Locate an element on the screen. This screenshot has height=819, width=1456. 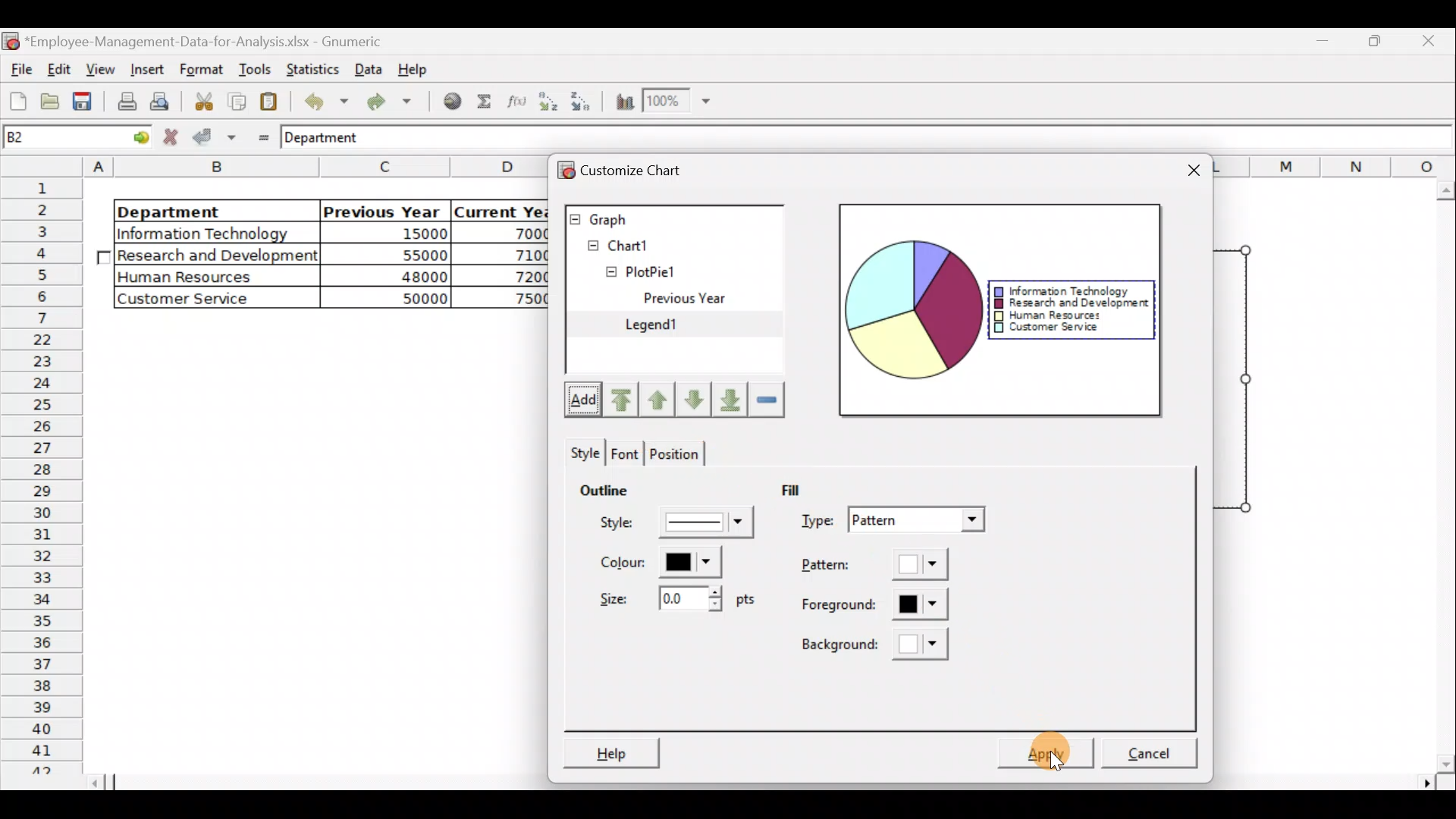
Customize chart is located at coordinates (651, 171).